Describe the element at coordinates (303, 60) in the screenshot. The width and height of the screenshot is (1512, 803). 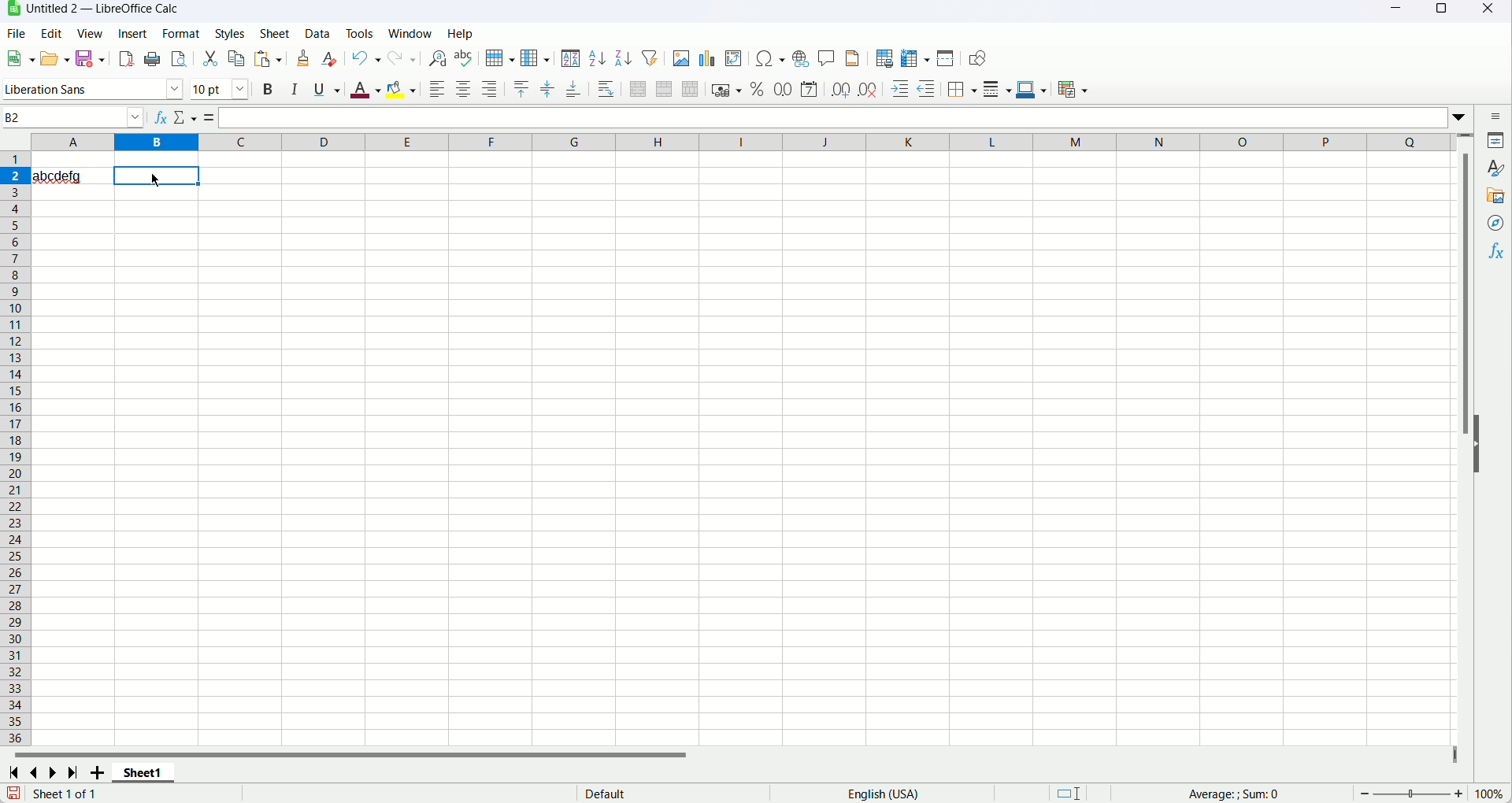
I see `clone formatting` at that location.